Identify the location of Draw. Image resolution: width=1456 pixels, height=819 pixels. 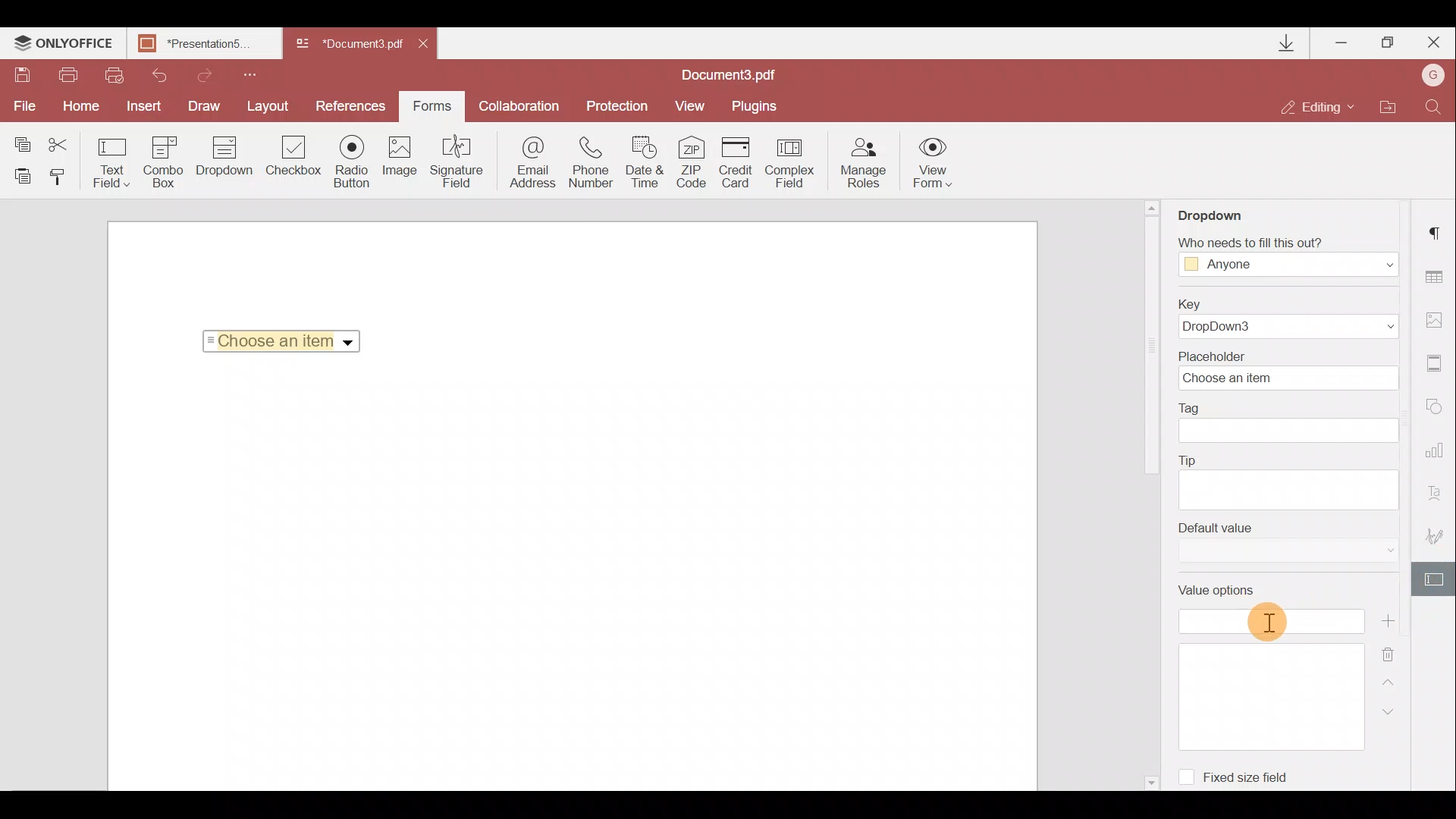
(208, 106).